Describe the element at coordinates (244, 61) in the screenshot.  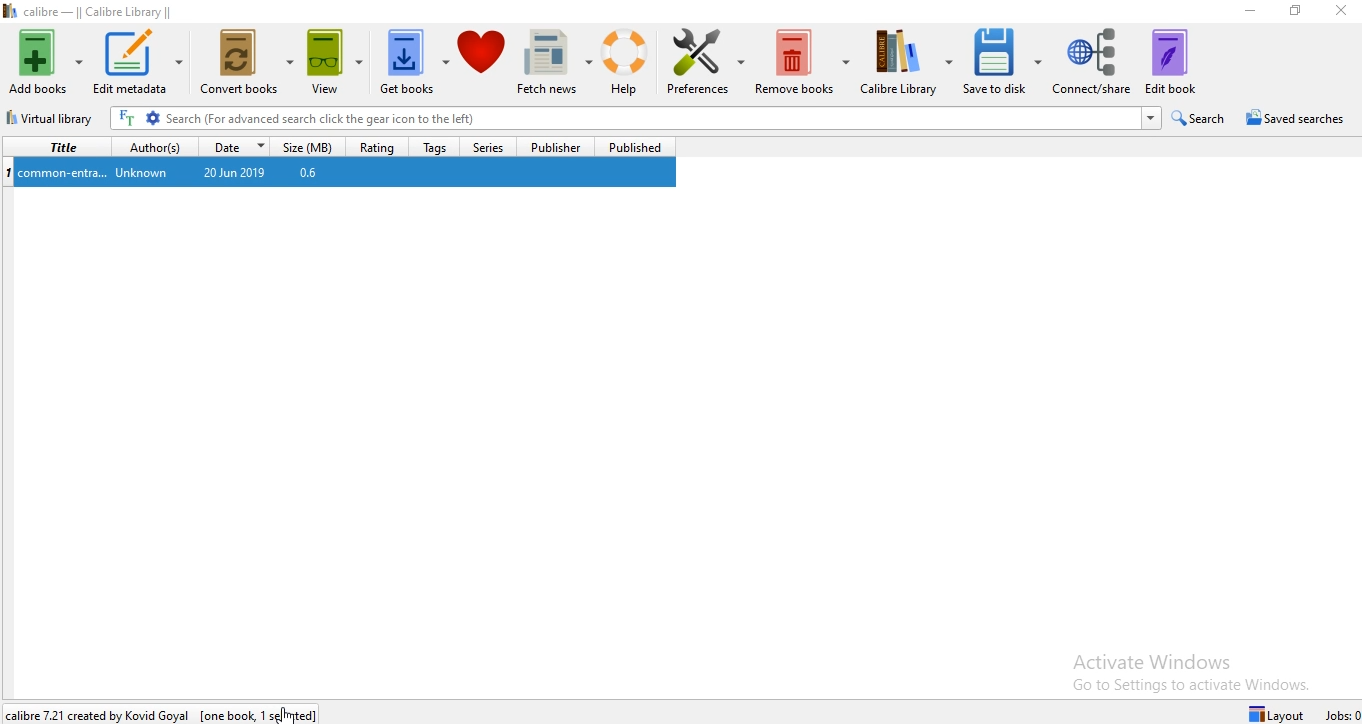
I see `Convert books` at that location.